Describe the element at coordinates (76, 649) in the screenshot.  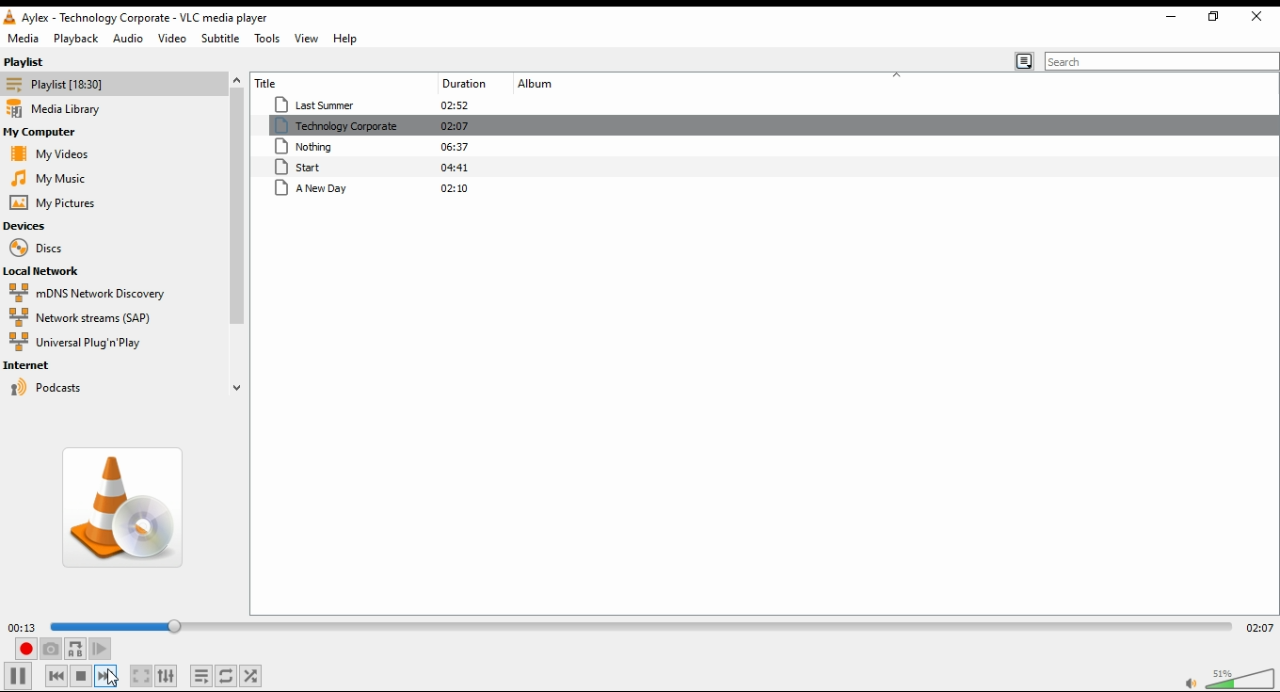
I see `loop between point A and point B continuously` at that location.